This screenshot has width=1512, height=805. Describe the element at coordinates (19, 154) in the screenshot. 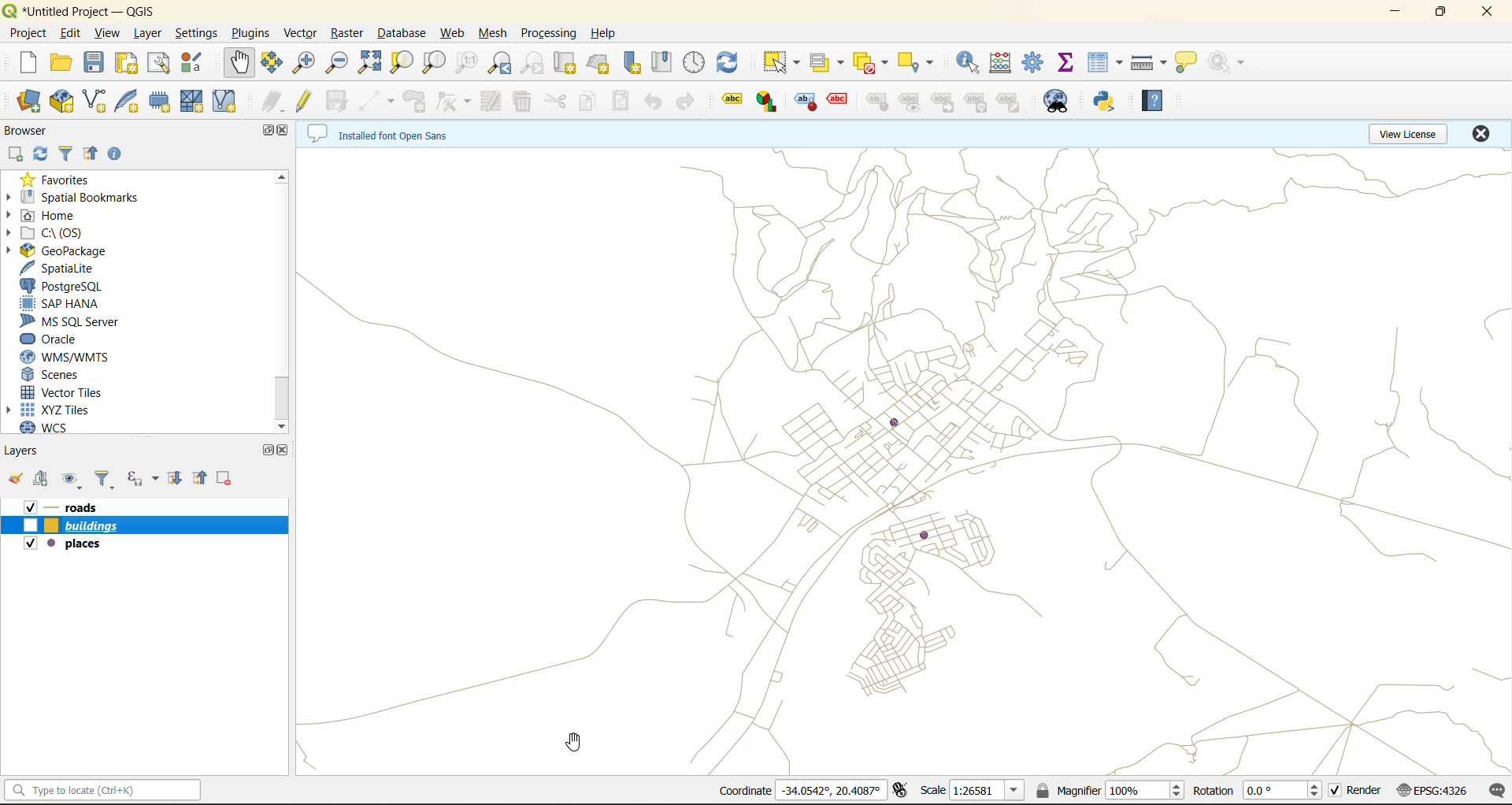

I see `add` at that location.